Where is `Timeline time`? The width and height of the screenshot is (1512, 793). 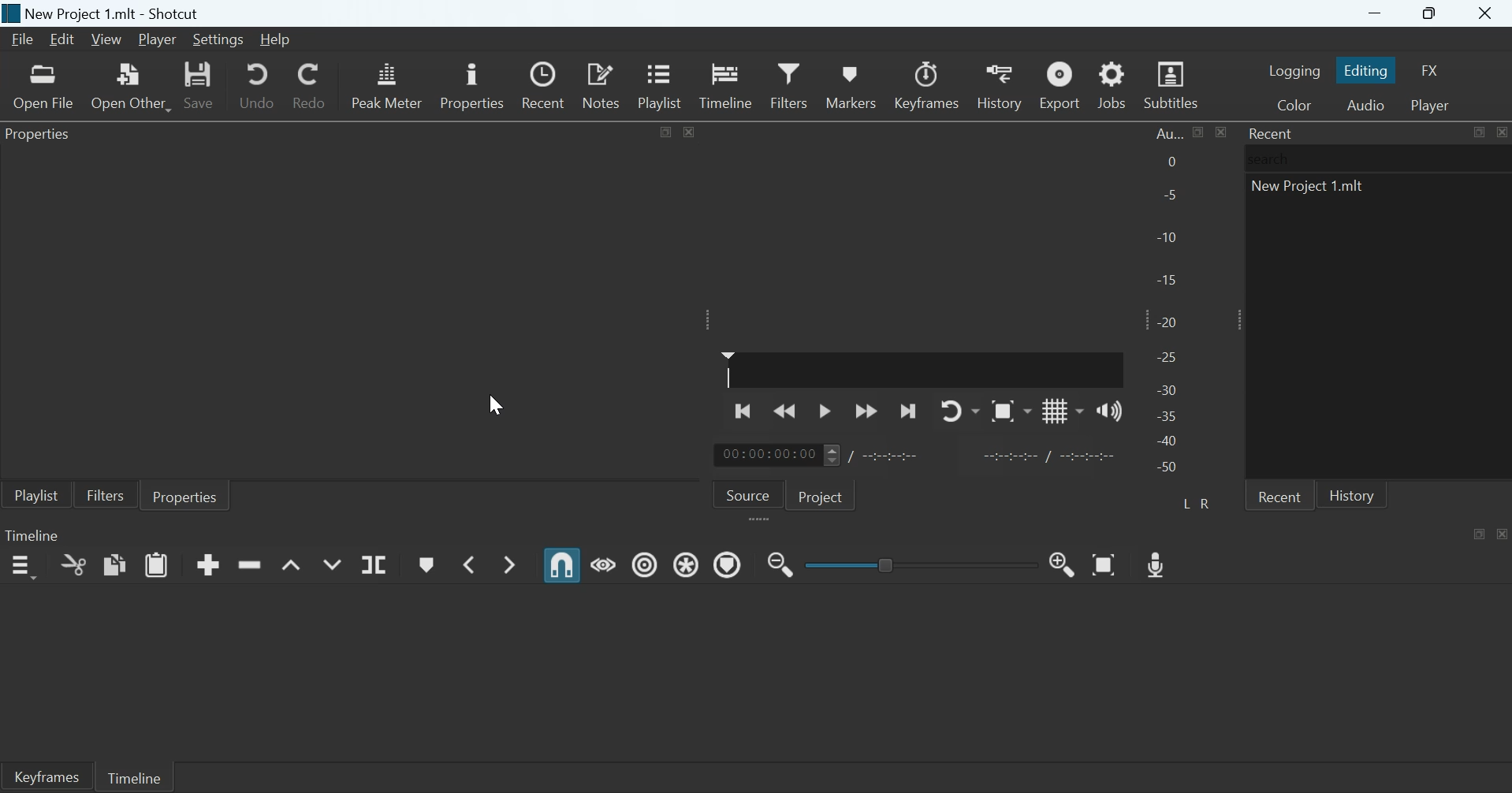
Timeline time is located at coordinates (766, 455).